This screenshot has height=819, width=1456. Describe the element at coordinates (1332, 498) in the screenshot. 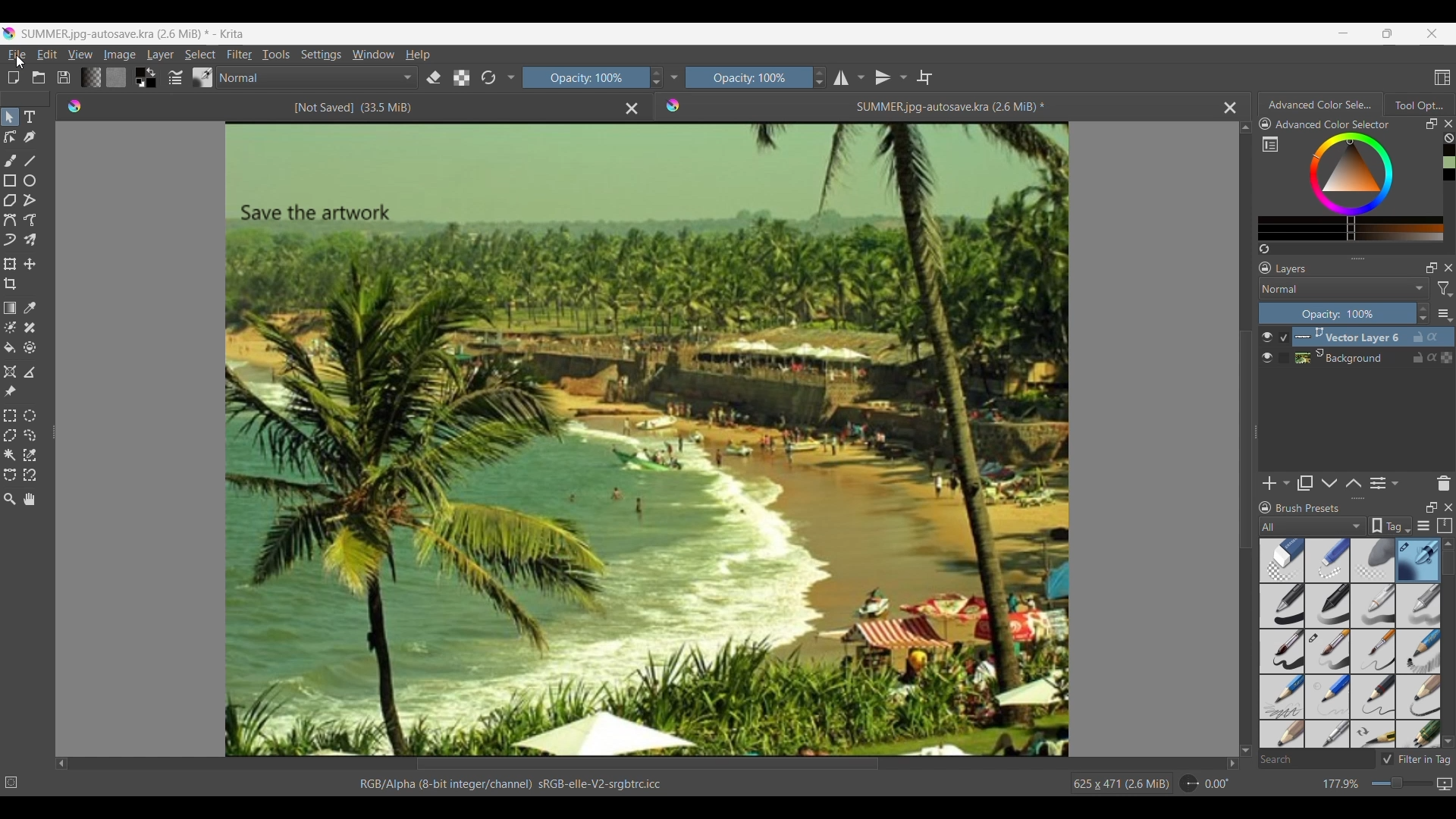

I see `Change height of panels attached to this line` at that location.